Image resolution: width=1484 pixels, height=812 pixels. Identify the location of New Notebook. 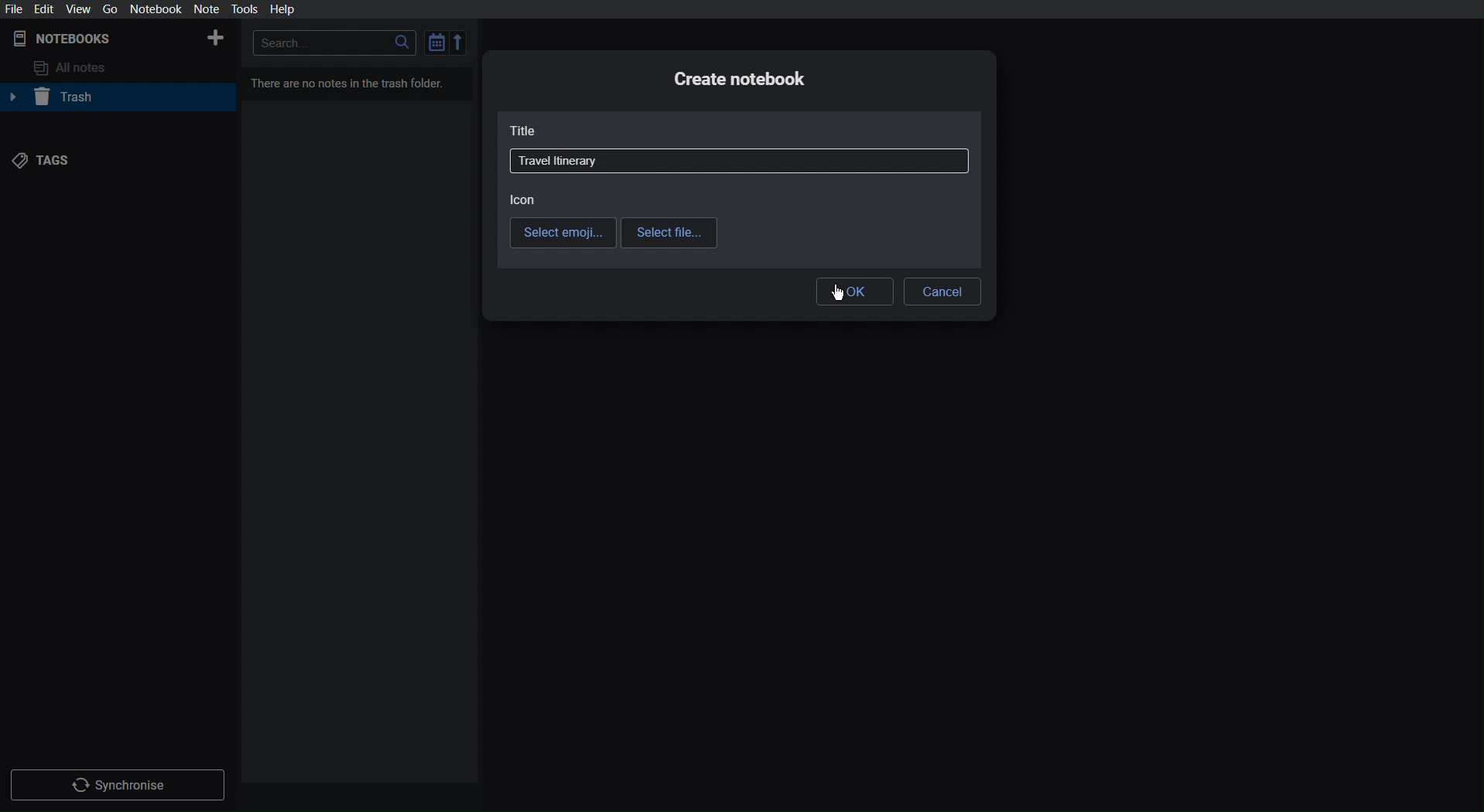
(214, 38).